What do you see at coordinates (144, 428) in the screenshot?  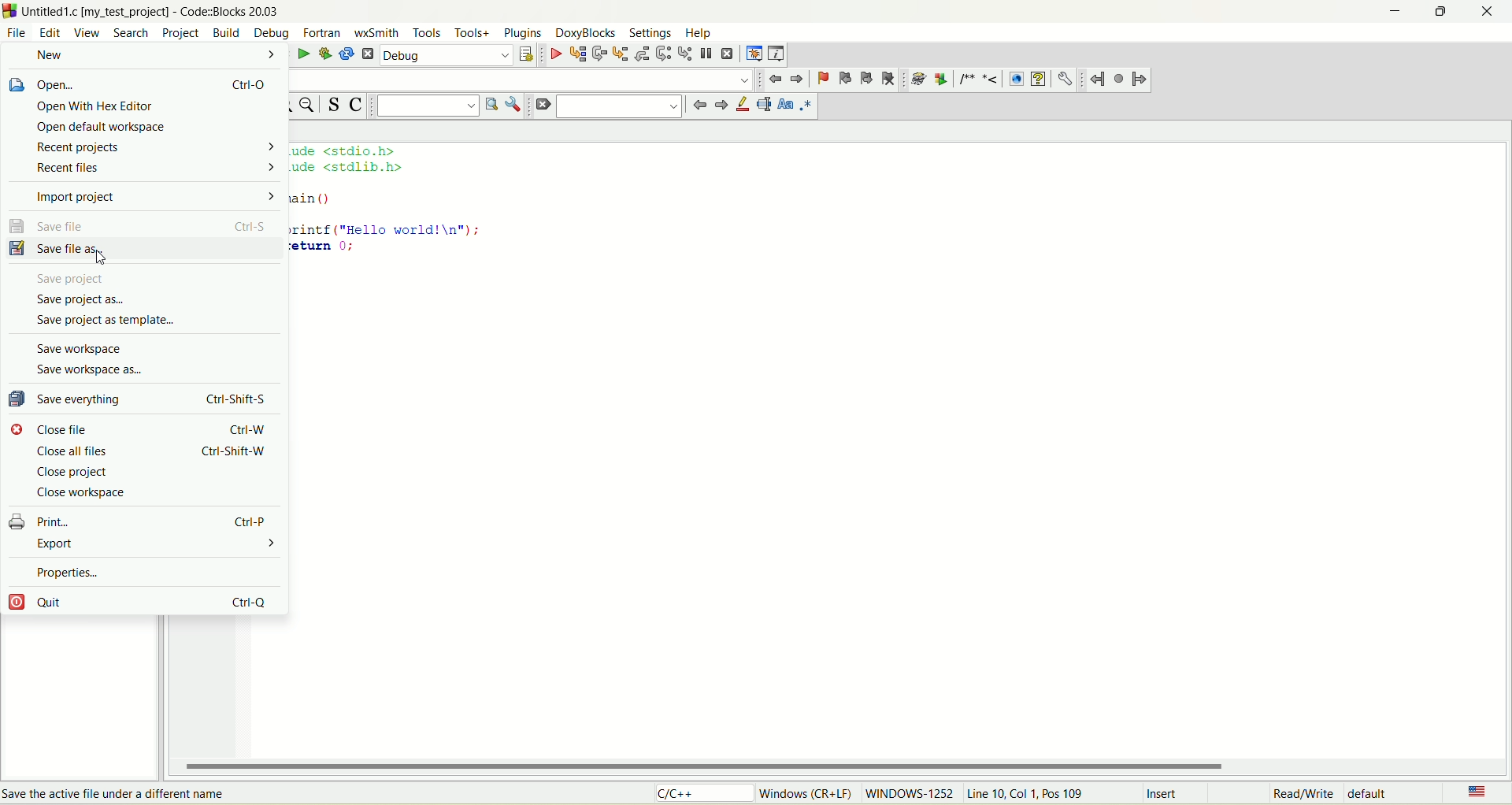 I see `close file` at bounding box center [144, 428].